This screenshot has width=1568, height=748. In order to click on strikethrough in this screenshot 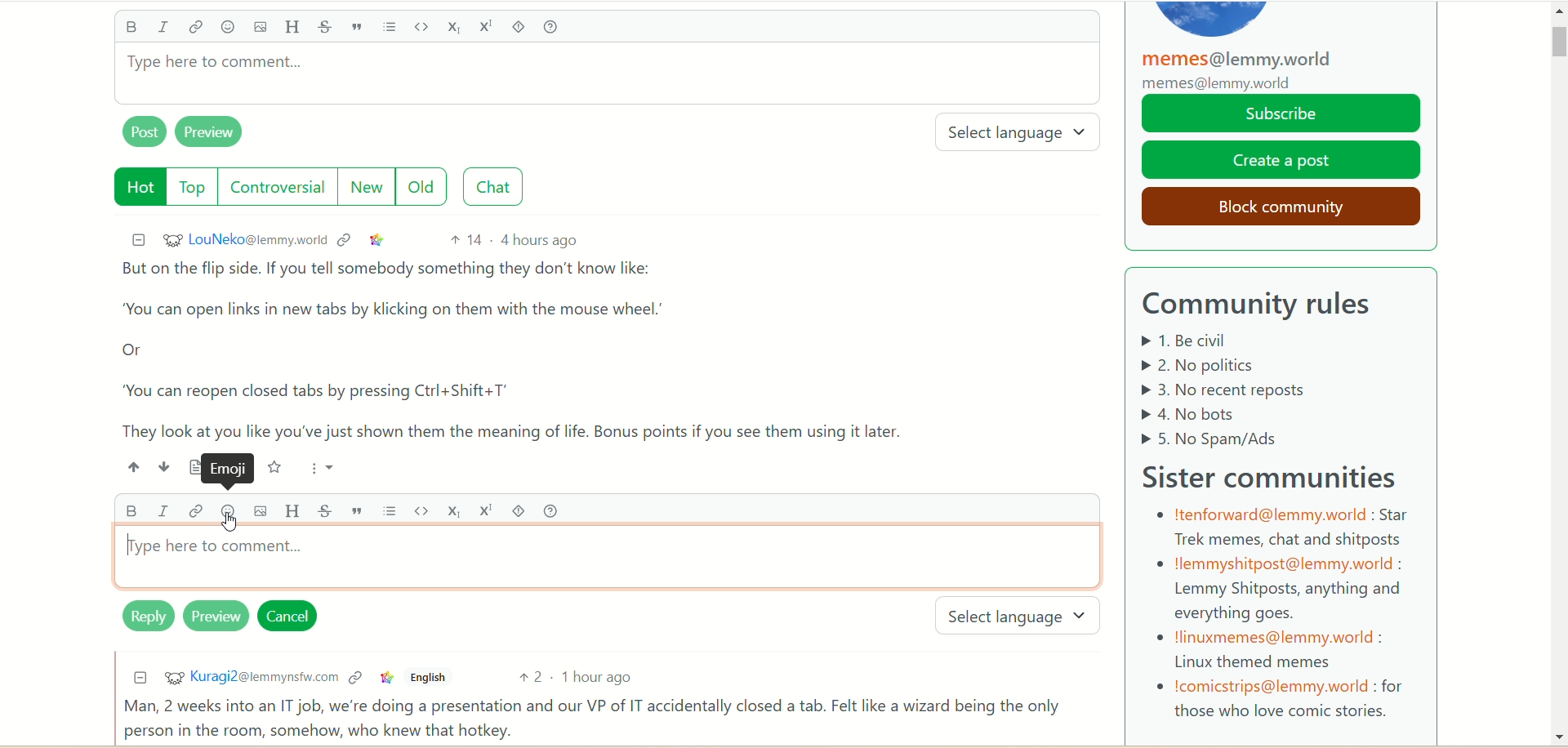, I will do `click(325, 28)`.